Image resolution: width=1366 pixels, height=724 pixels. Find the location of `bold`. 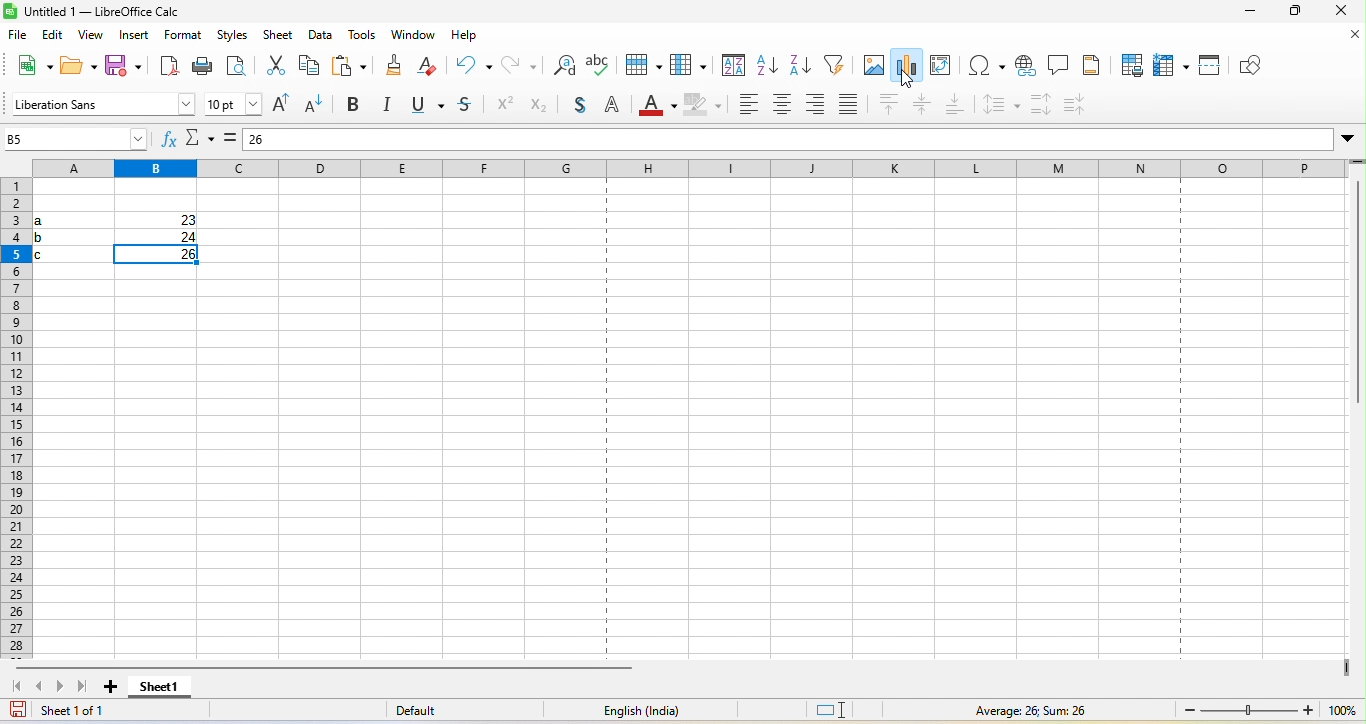

bold is located at coordinates (356, 105).